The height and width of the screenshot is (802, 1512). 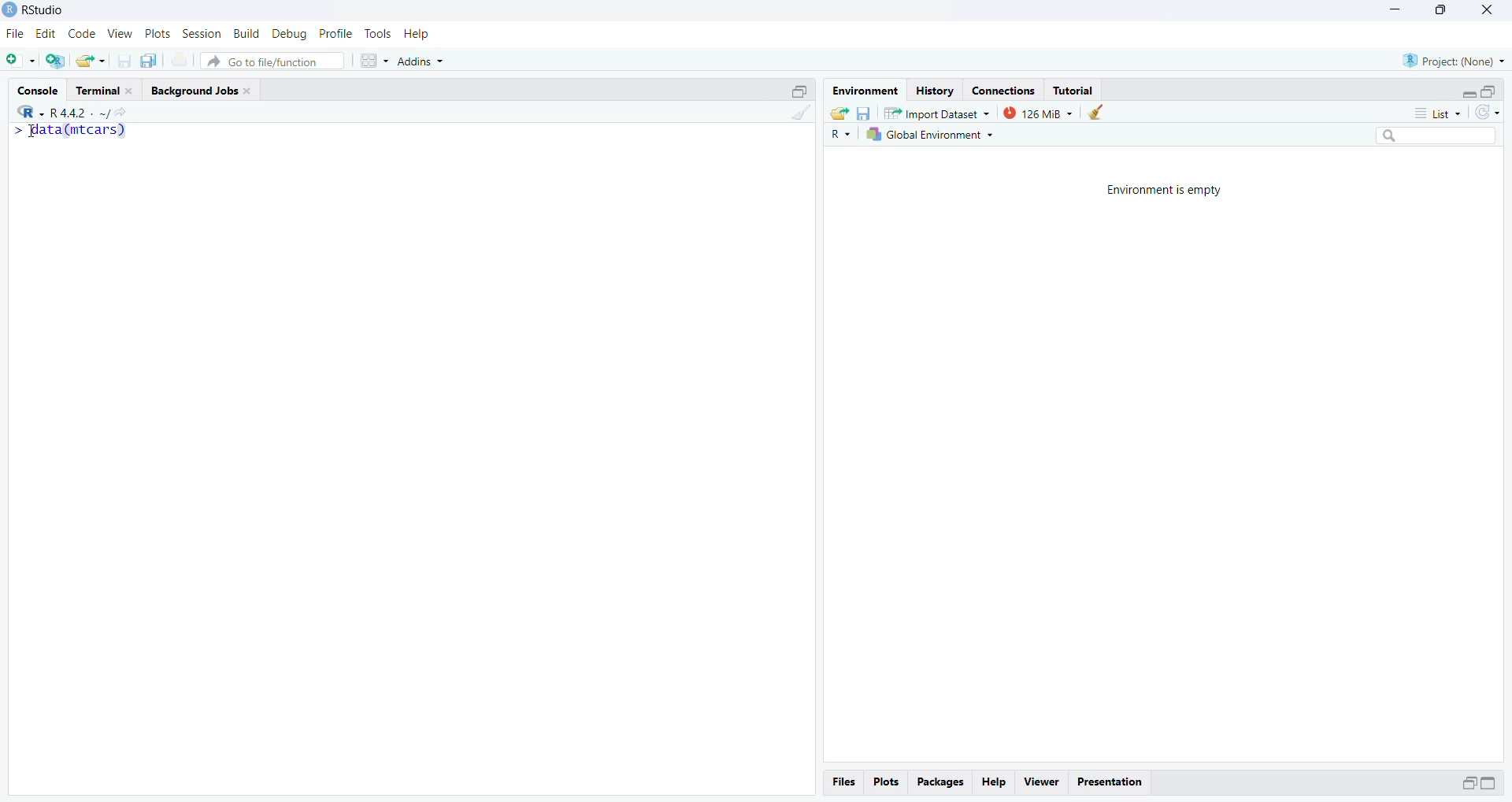 I want to click on Connections, so click(x=1004, y=89).